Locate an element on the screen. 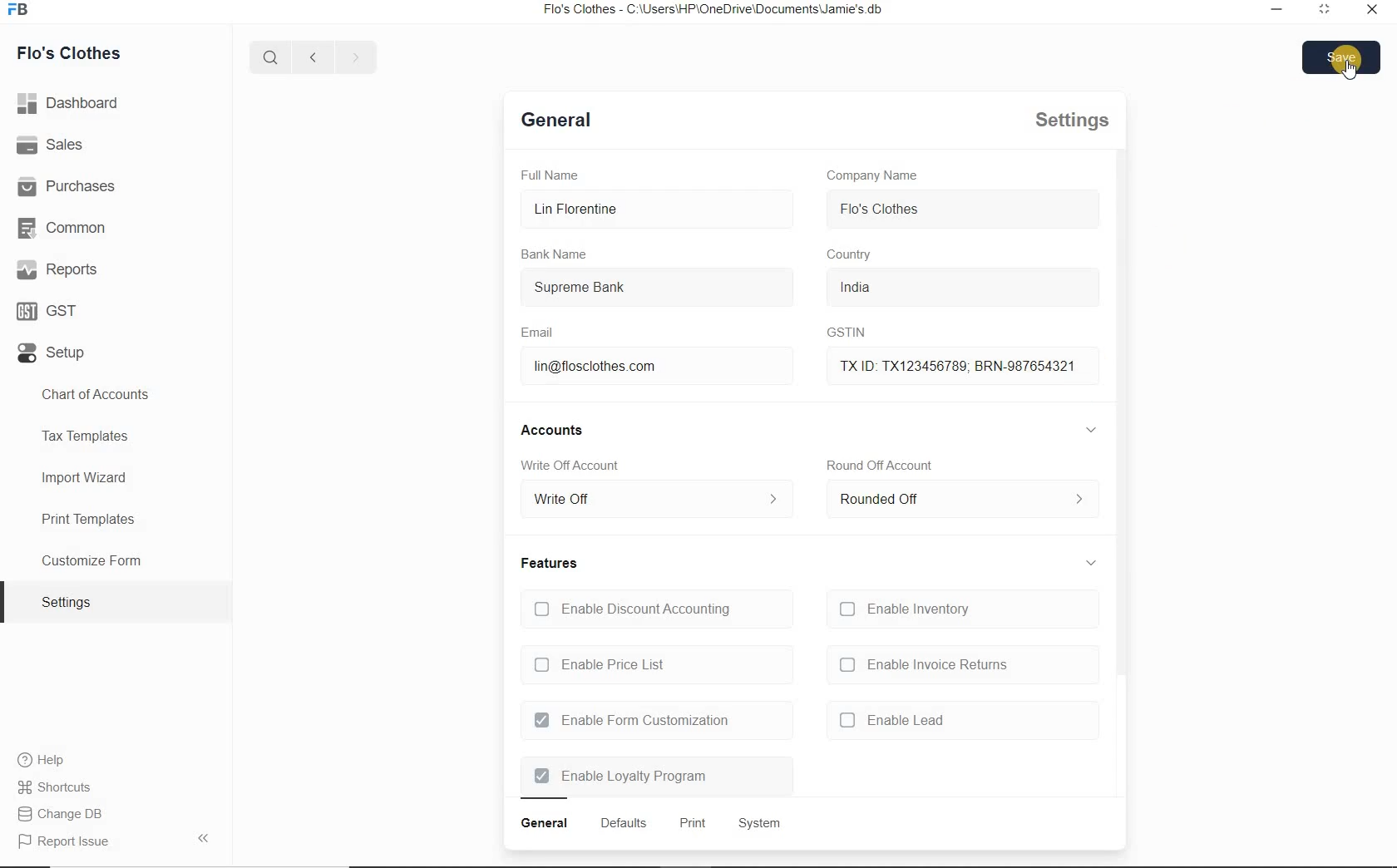 The height and width of the screenshot is (868, 1397). round off account is located at coordinates (880, 465).